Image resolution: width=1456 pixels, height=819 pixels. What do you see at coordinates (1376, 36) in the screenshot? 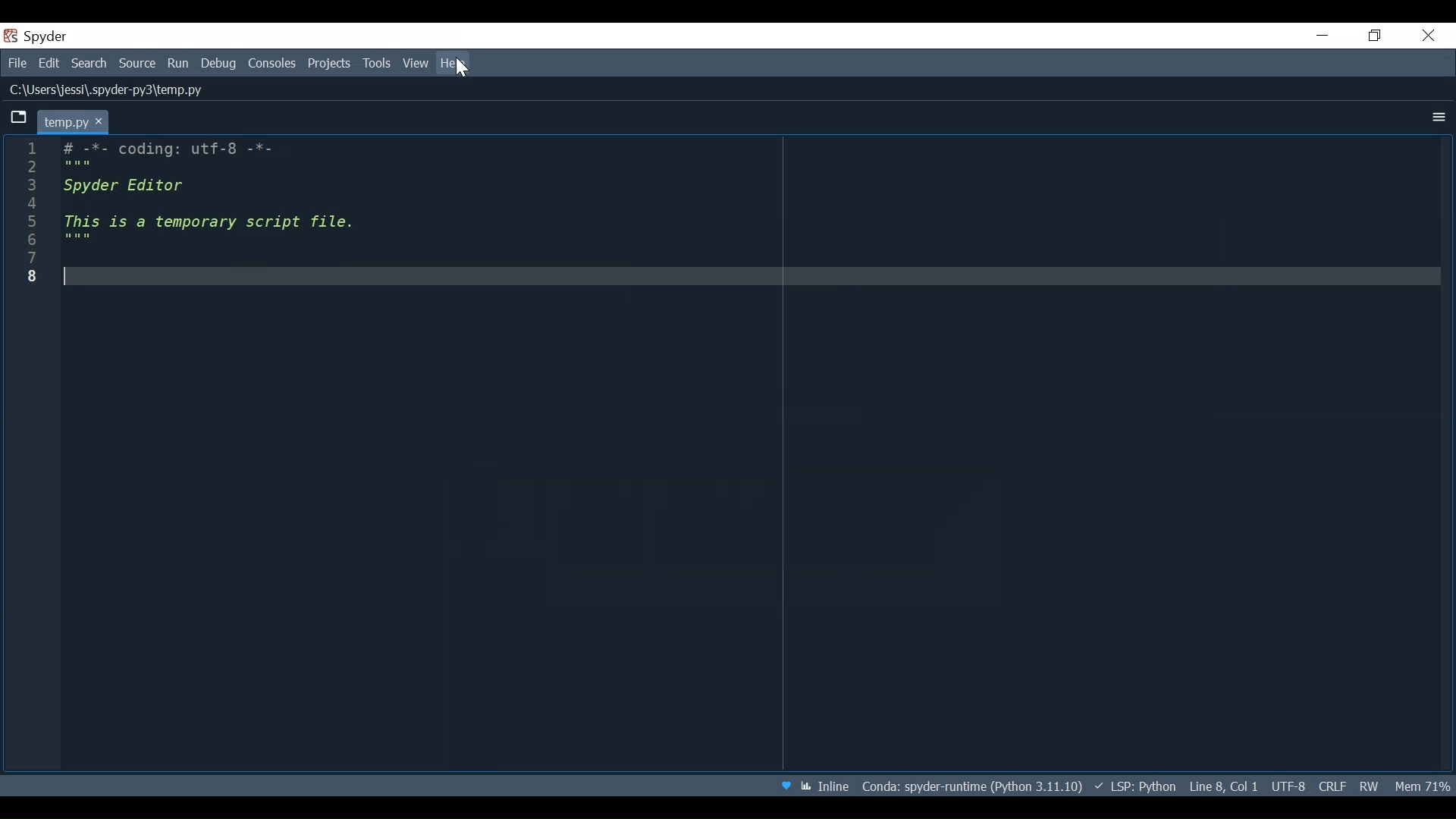
I see `Restore` at bounding box center [1376, 36].